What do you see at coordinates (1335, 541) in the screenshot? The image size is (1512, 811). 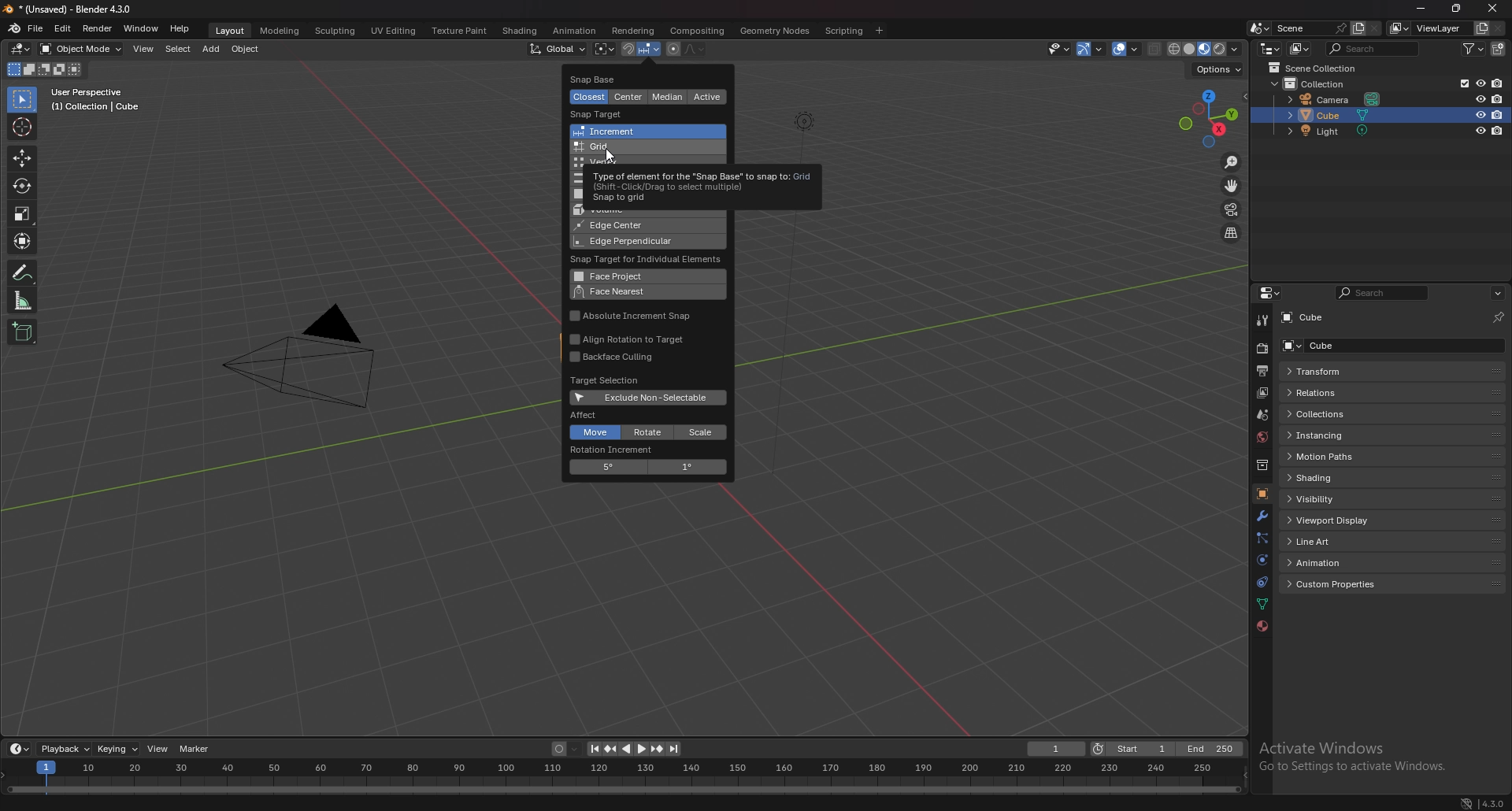 I see `line art` at bounding box center [1335, 541].